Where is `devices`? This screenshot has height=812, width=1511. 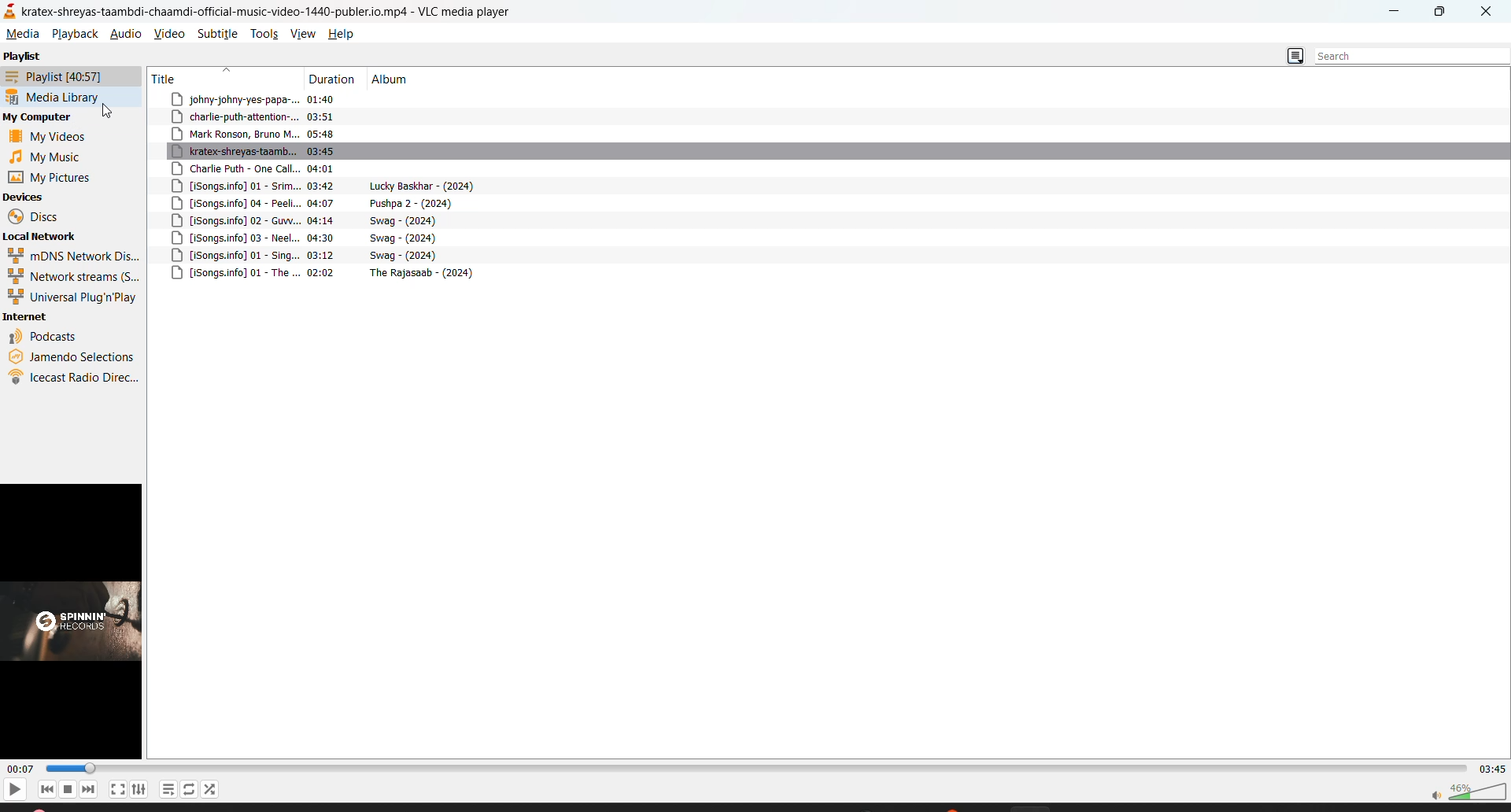
devices is located at coordinates (37, 197).